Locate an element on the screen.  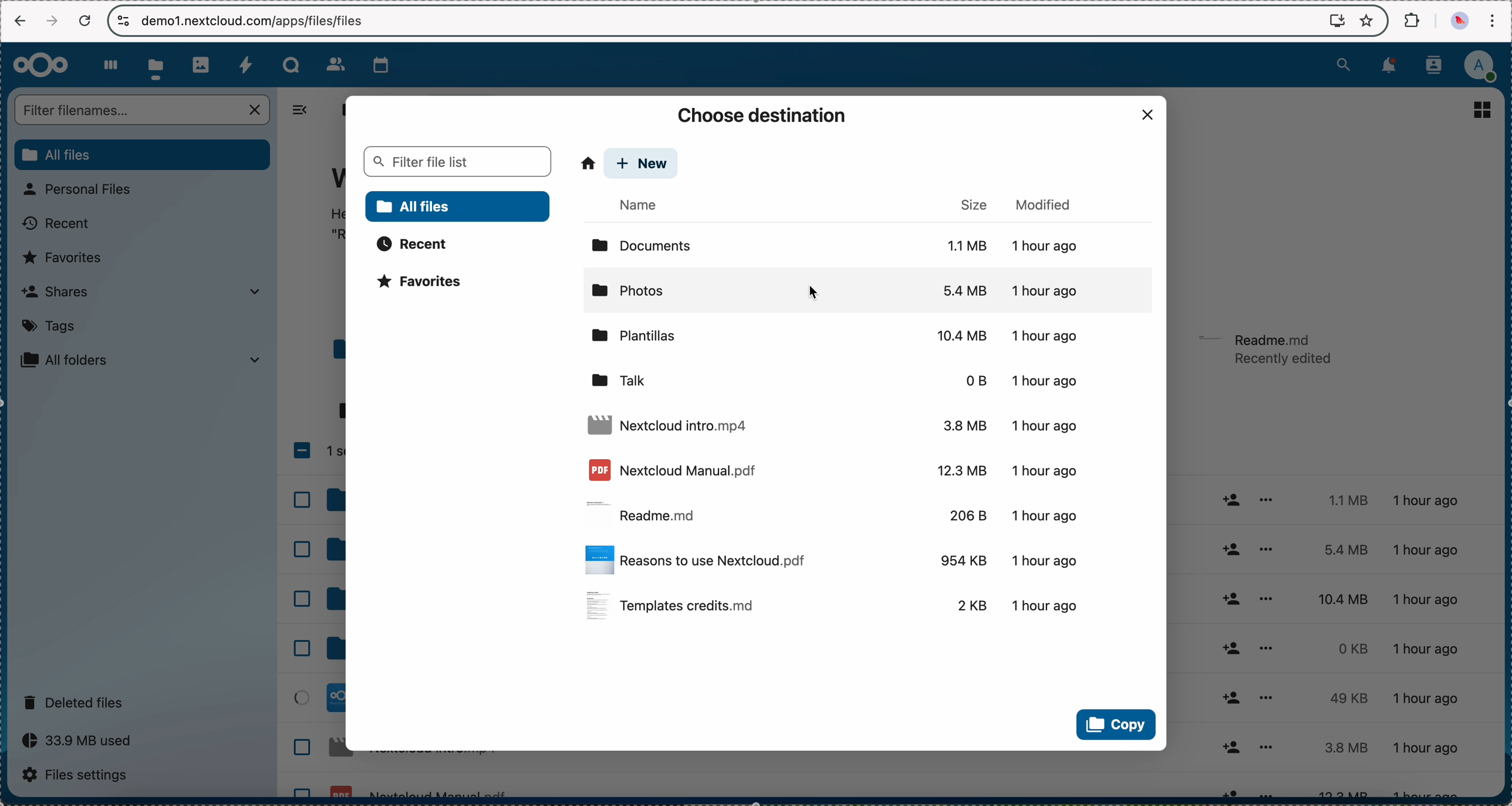
personal files is located at coordinates (84, 189).